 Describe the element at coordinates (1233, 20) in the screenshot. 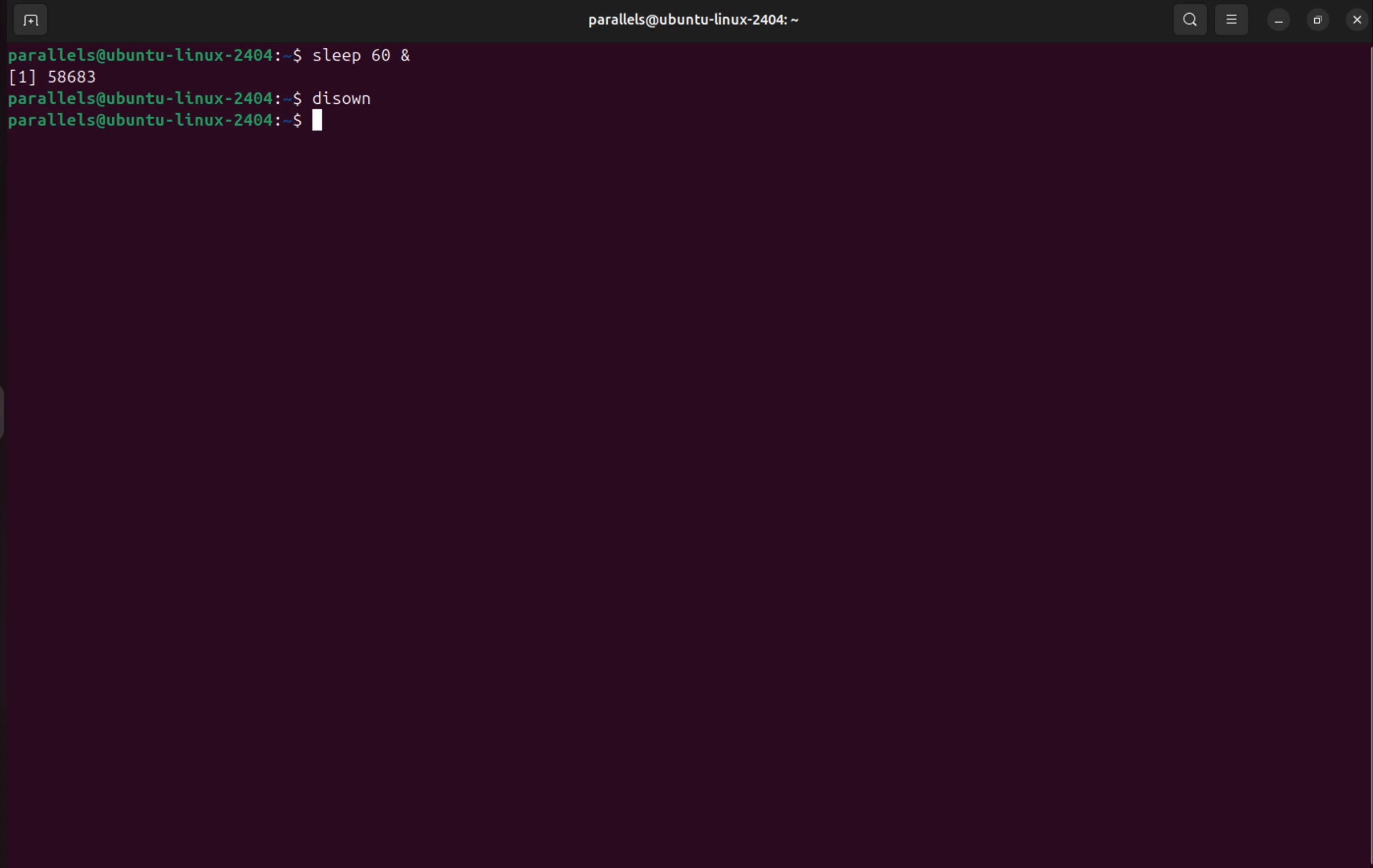

I see `view options` at that location.